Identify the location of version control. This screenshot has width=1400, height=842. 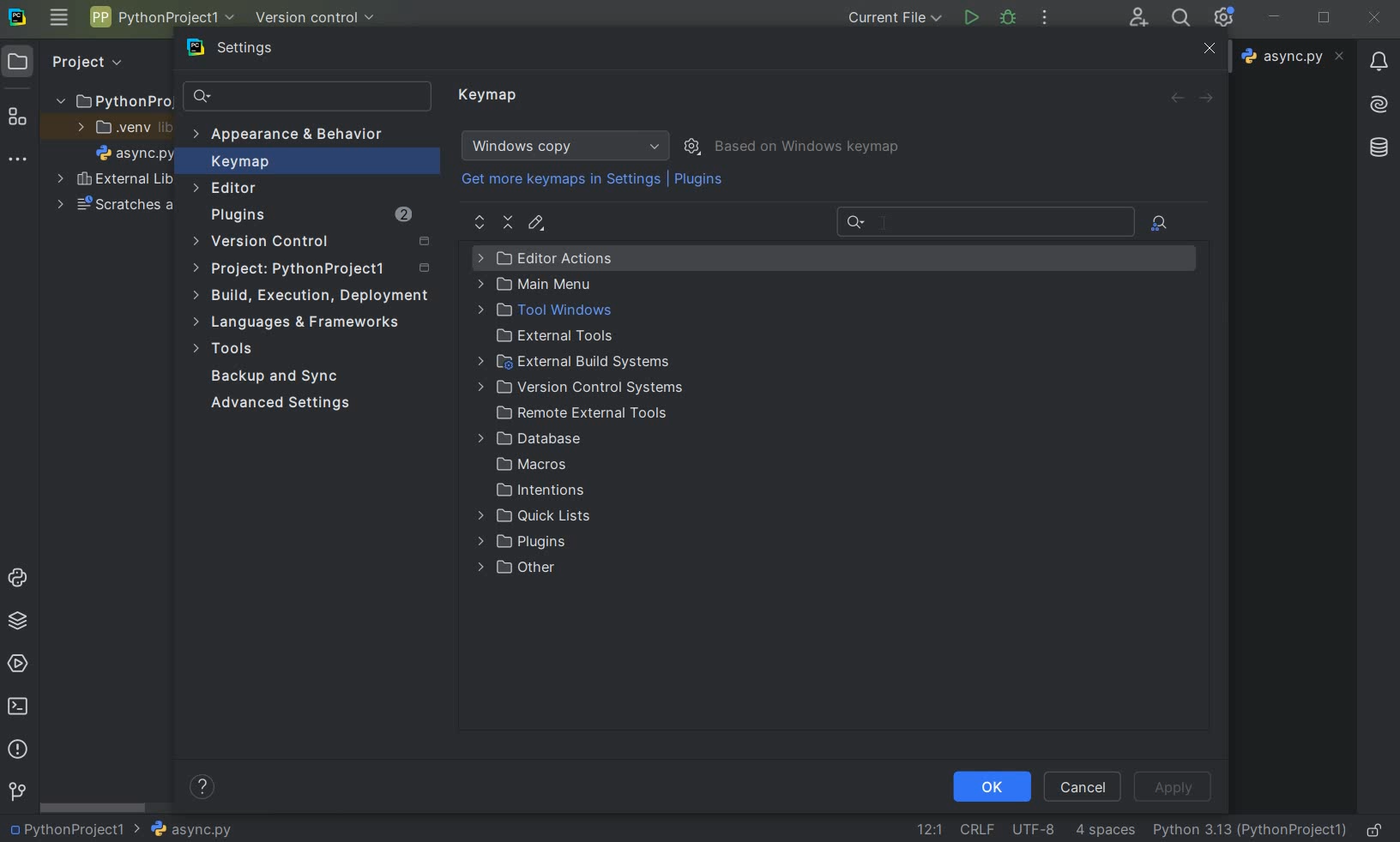
(321, 18).